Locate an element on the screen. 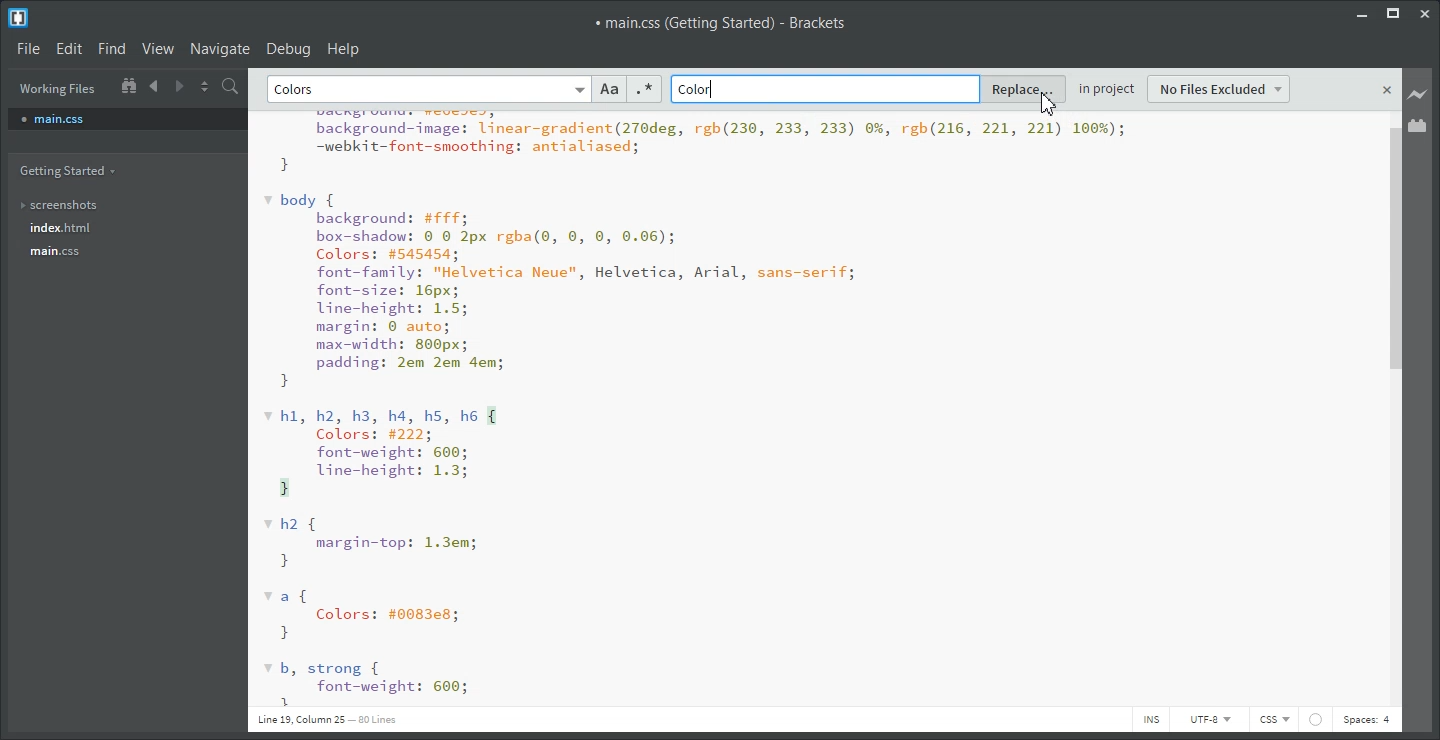  No Files Excluded is located at coordinates (1220, 89).